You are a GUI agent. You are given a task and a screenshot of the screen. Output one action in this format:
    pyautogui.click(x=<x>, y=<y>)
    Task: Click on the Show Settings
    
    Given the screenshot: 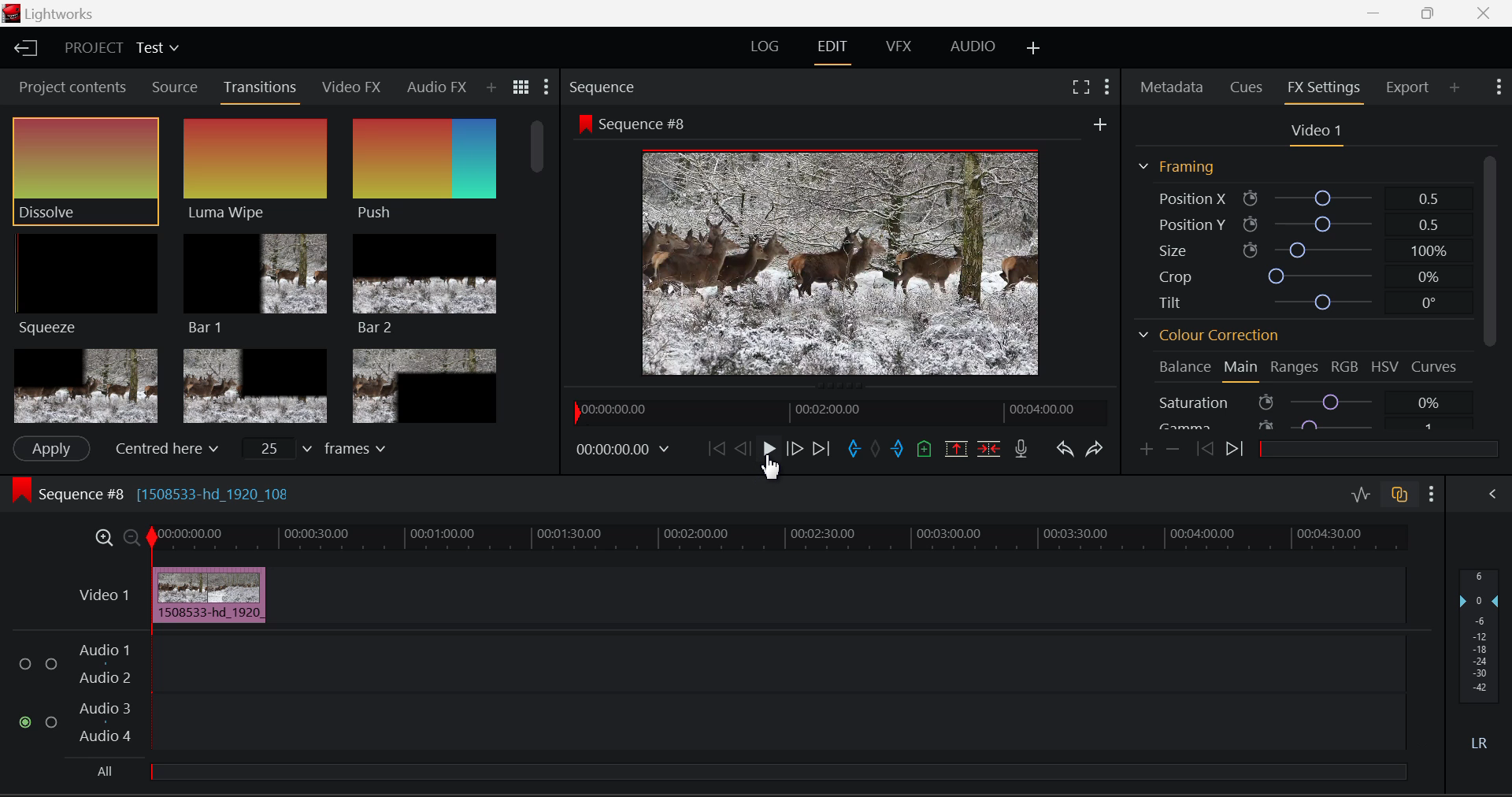 What is the action you would take?
    pyautogui.click(x=1107, y=87)
    